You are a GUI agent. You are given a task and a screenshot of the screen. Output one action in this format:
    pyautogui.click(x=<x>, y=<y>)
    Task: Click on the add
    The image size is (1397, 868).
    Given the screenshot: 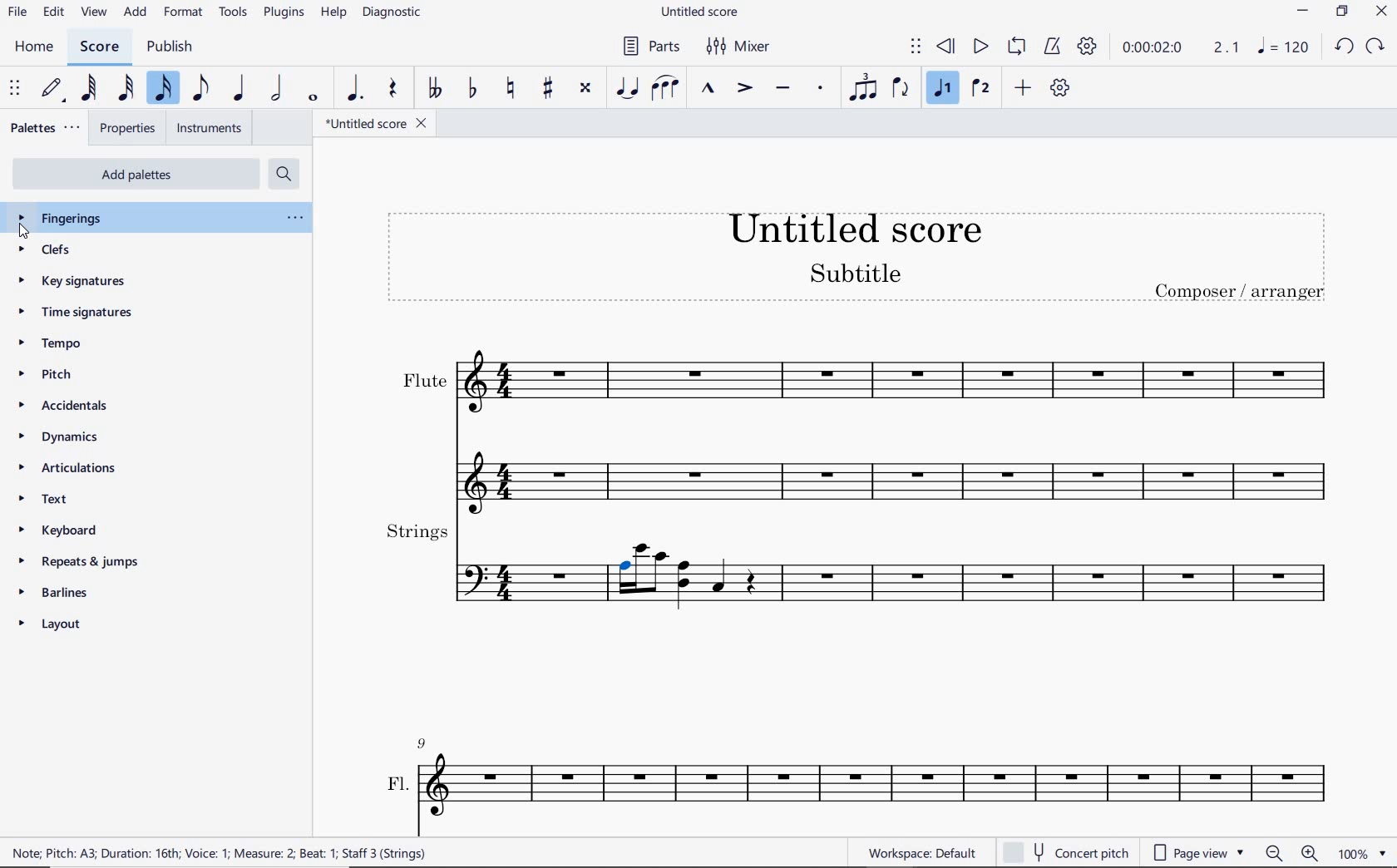 What is the action you would take?
    pyautogui.click(x=1024, y=86)
    